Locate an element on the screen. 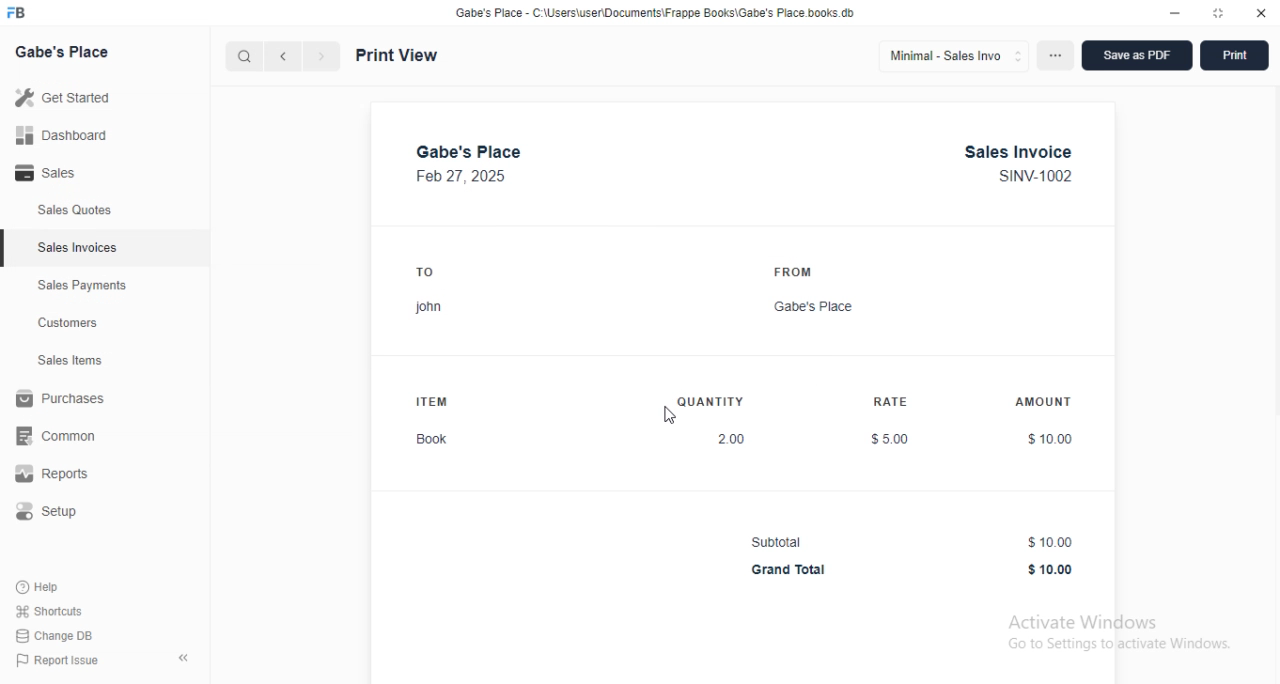  Subtotal is located at coordinates (776, 542).